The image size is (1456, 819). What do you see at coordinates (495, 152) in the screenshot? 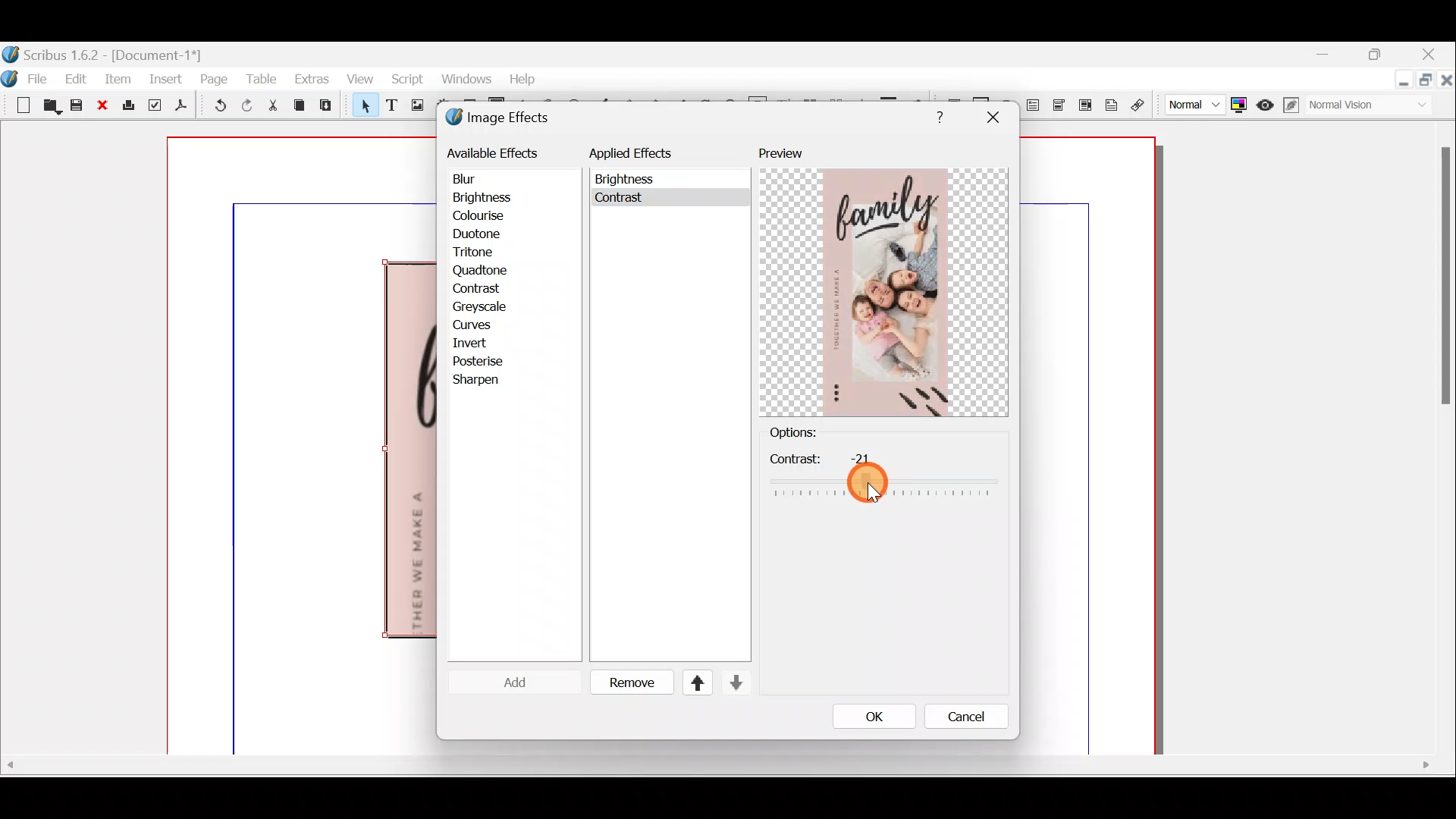
I see `Available effects` at bounding box center [495, 152].